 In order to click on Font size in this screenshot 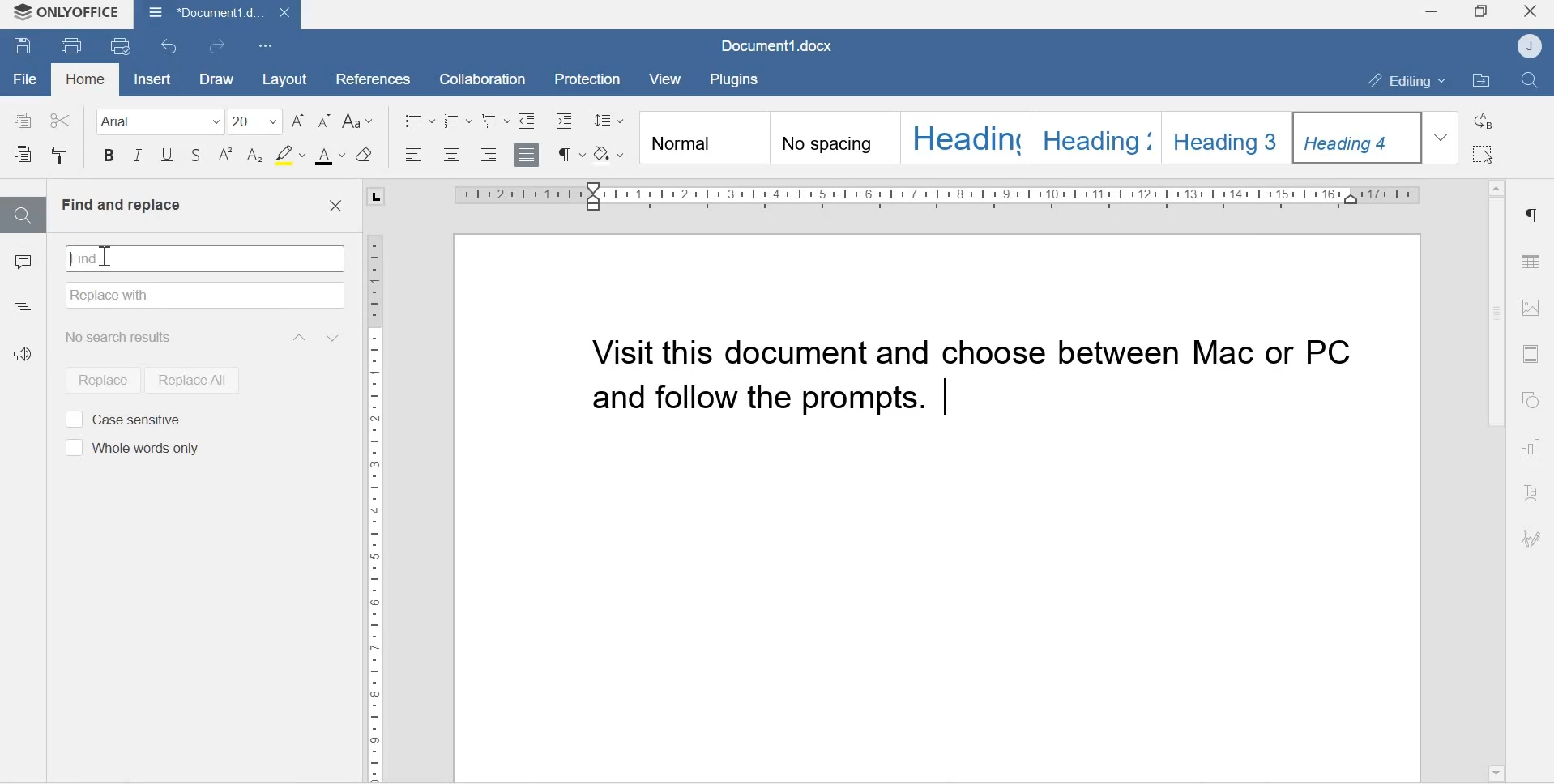, I will do `click(257, 121)`.